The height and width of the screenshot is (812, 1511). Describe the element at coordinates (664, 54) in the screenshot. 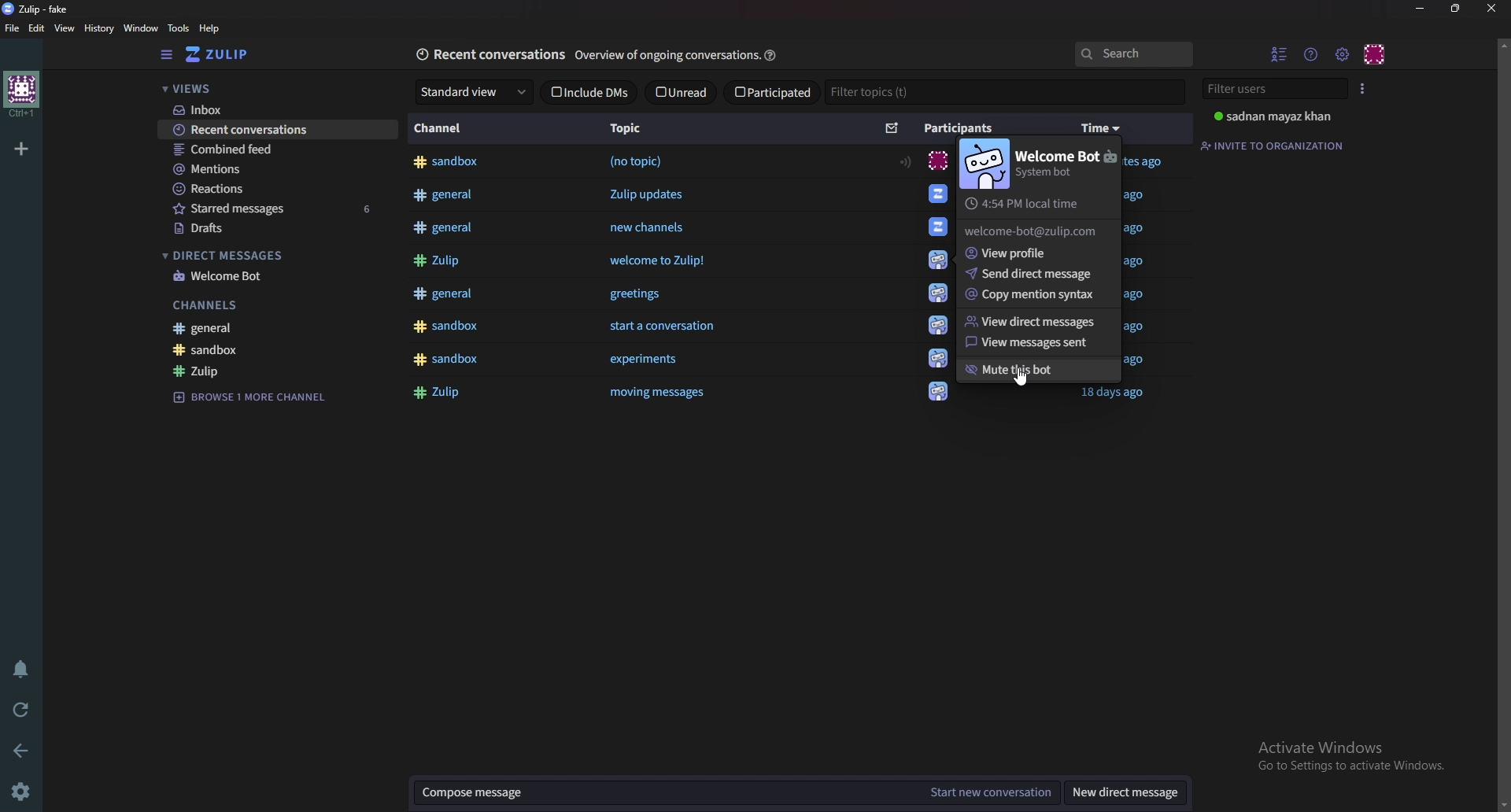

I see `Overview of ongoing conversation:` at that location.